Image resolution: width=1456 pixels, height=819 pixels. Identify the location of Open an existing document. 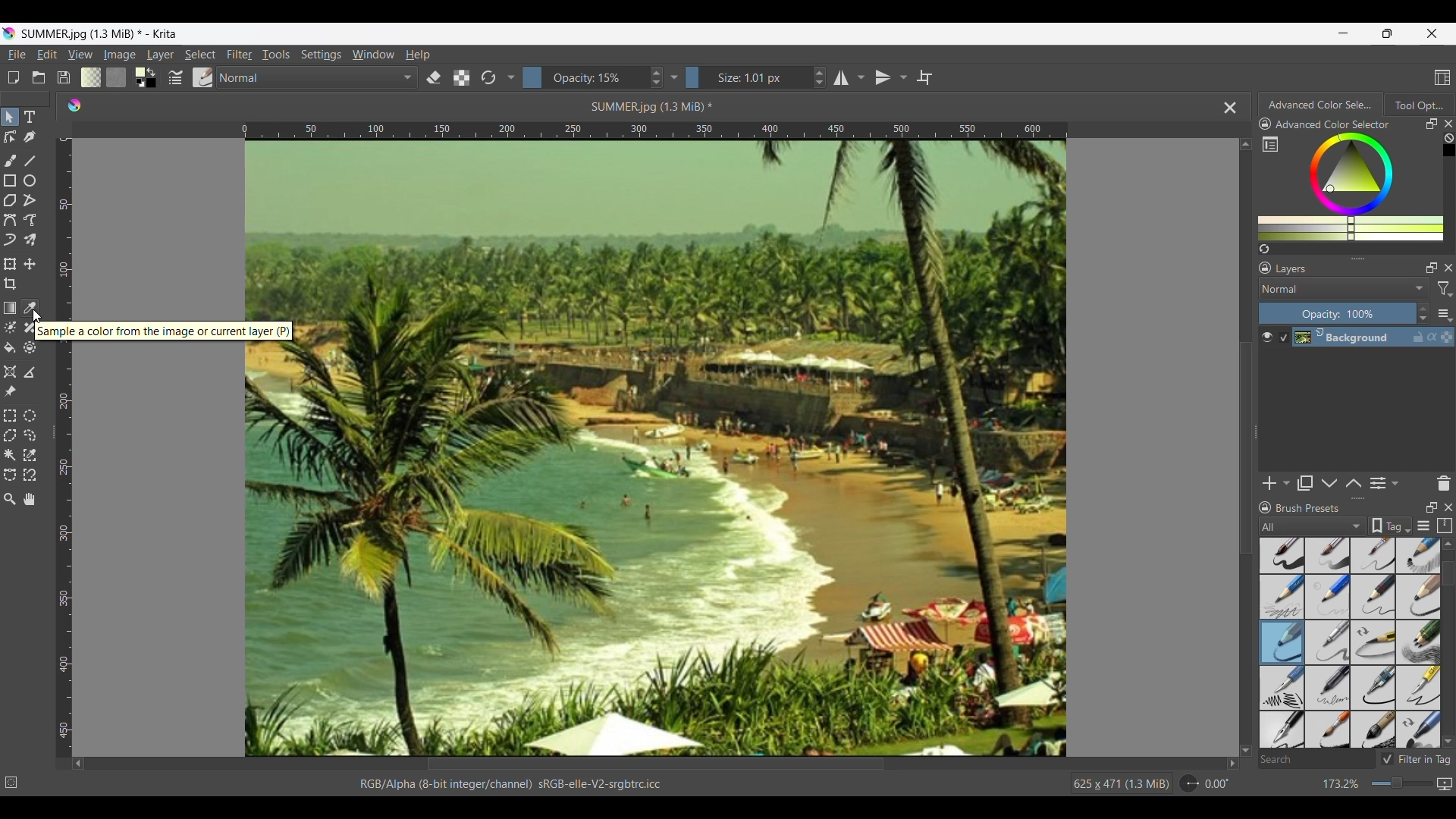
(39, 78).